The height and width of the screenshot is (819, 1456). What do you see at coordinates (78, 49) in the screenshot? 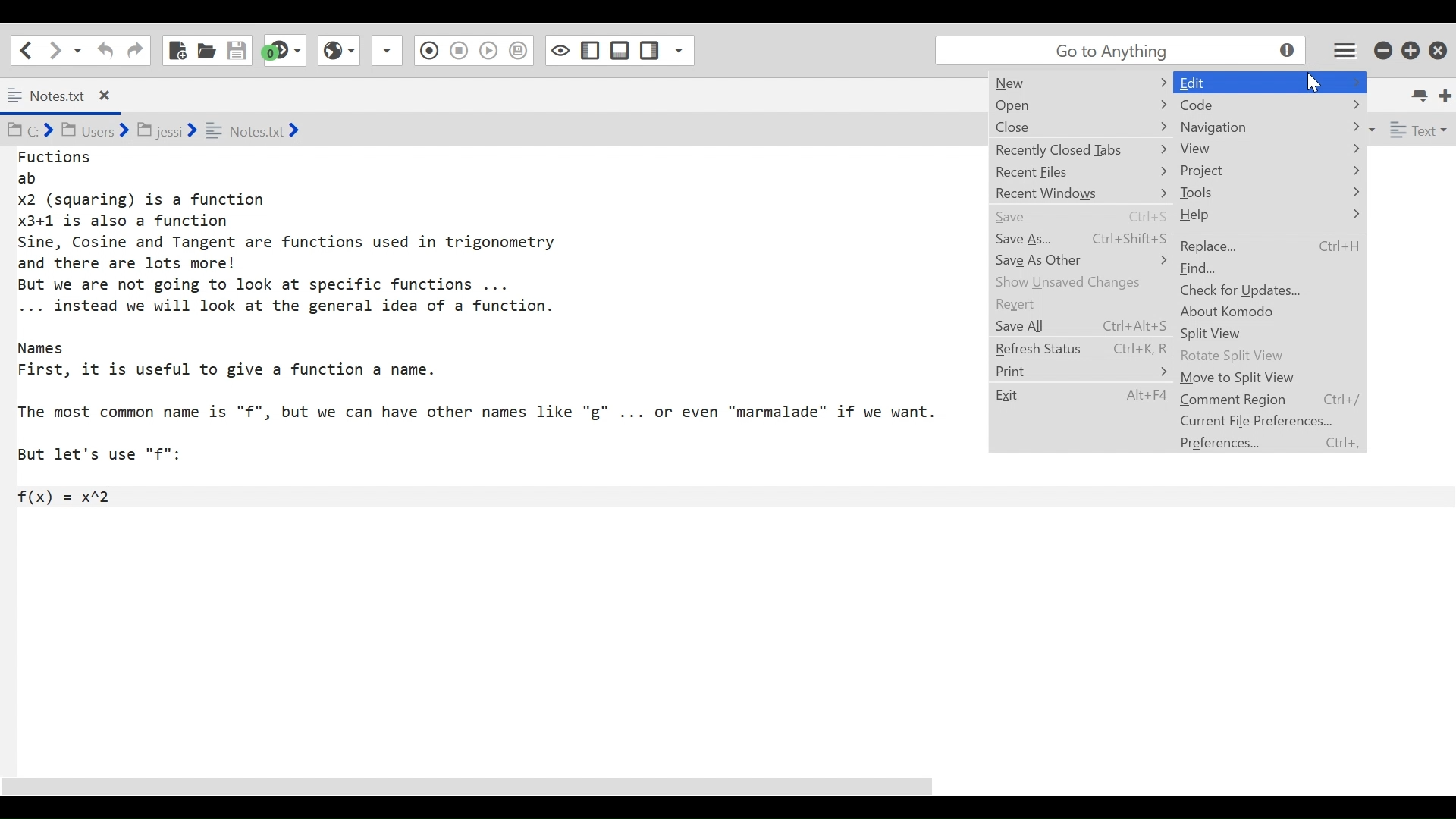
I see `Recent locations` at bounding box center [78, 49].